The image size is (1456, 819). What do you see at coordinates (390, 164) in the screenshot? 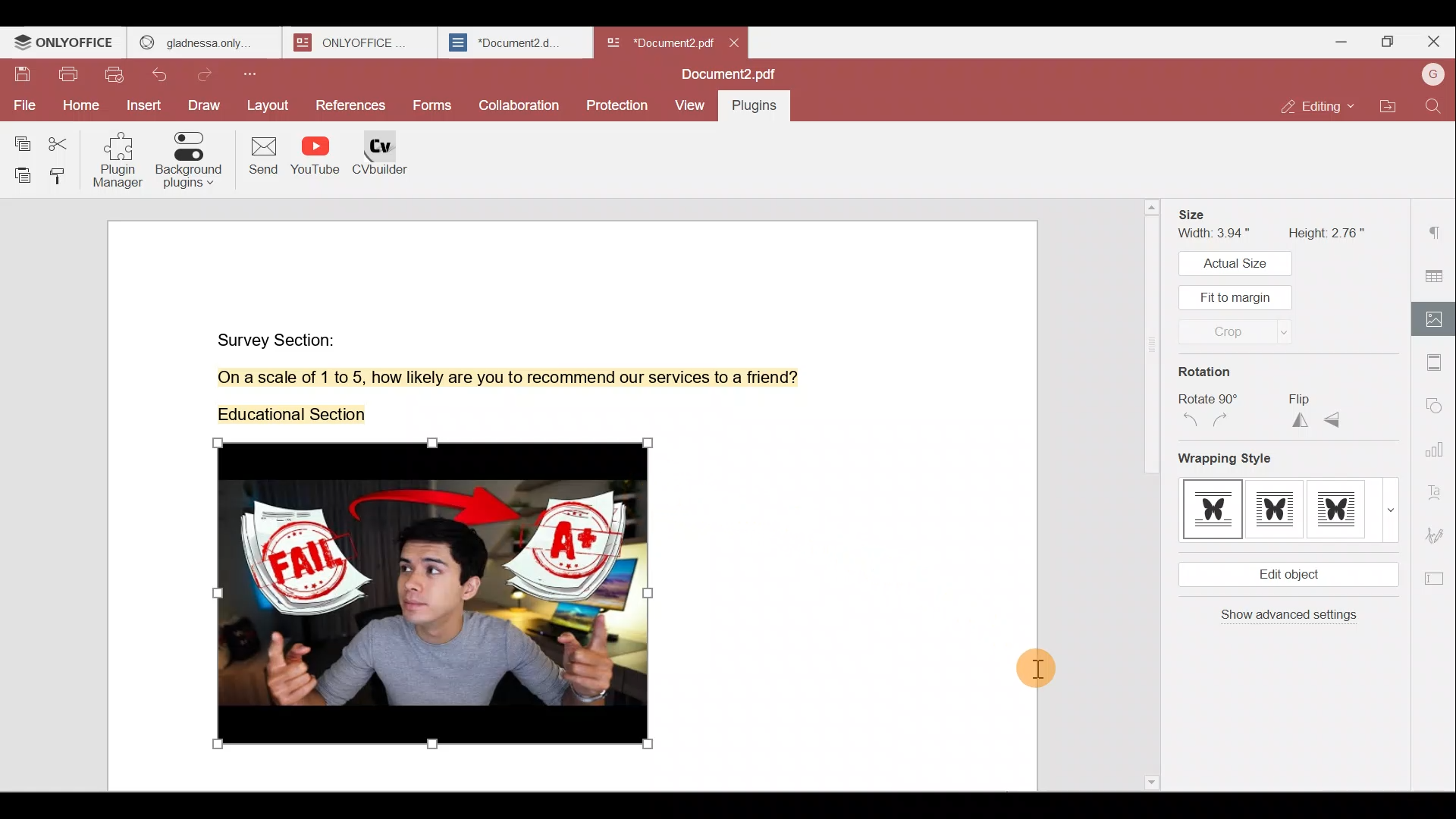
I see `CV builder` at bounding box center [390, 164].